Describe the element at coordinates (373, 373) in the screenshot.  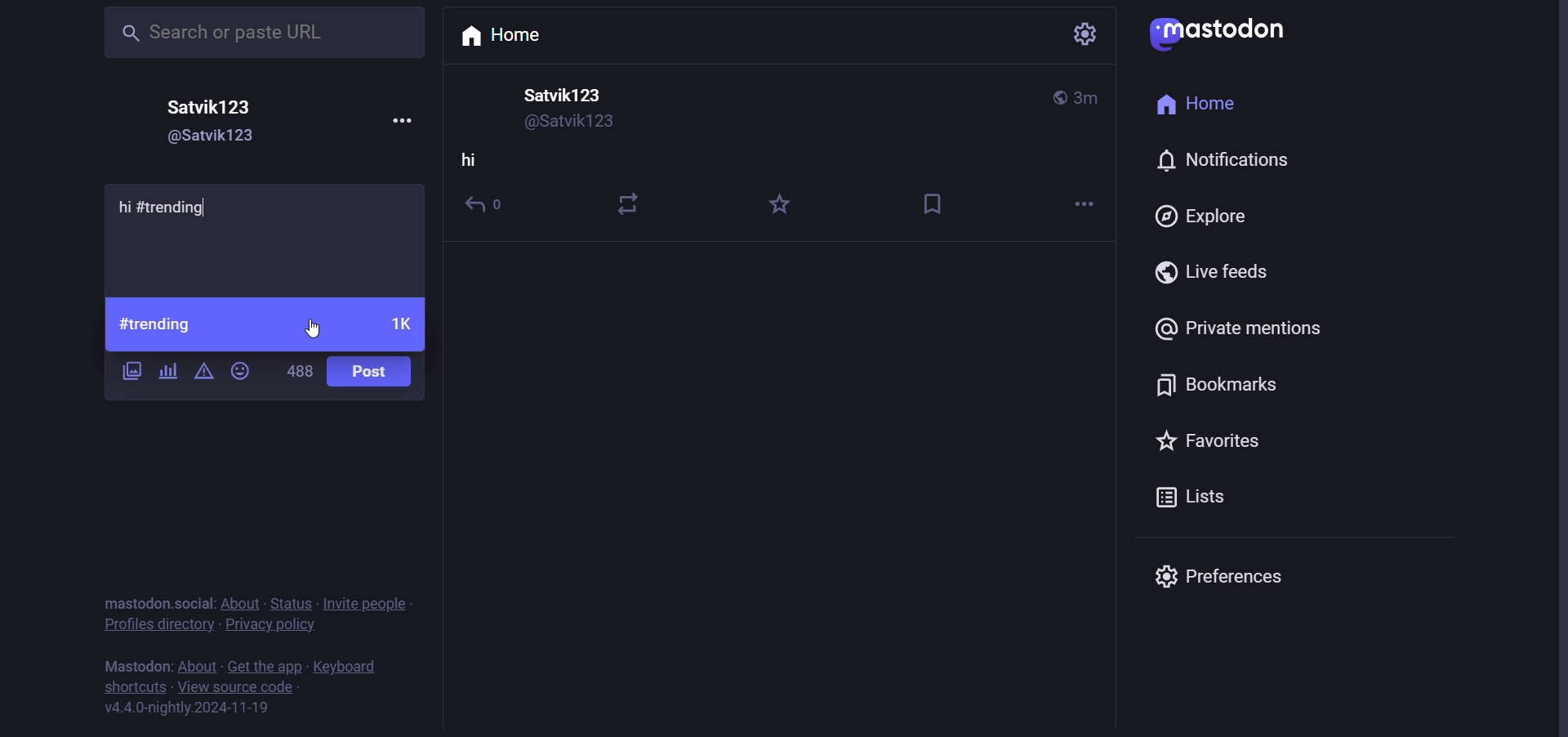
I see `post` at that location.